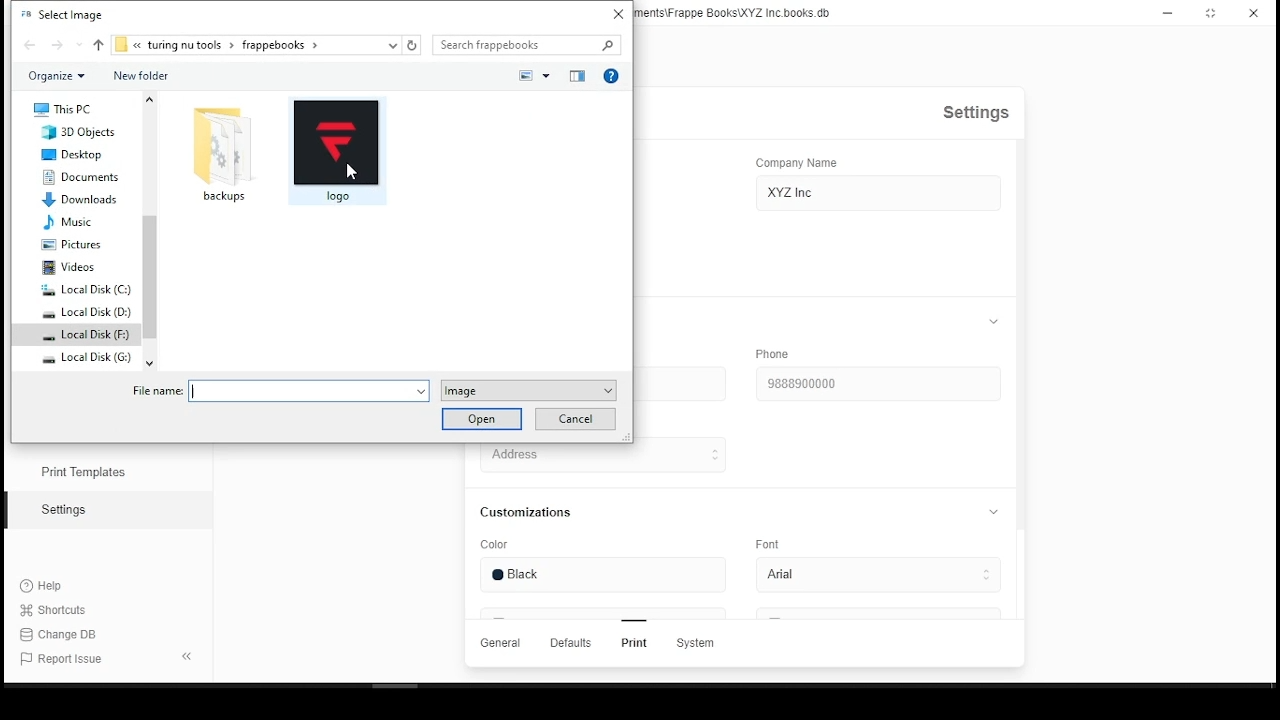 The height and width of the screenshot is (720, 1280). What do you see at coordinates (223, 155) in the screenshot?
I see `backups` at bounding box center [223, 155].